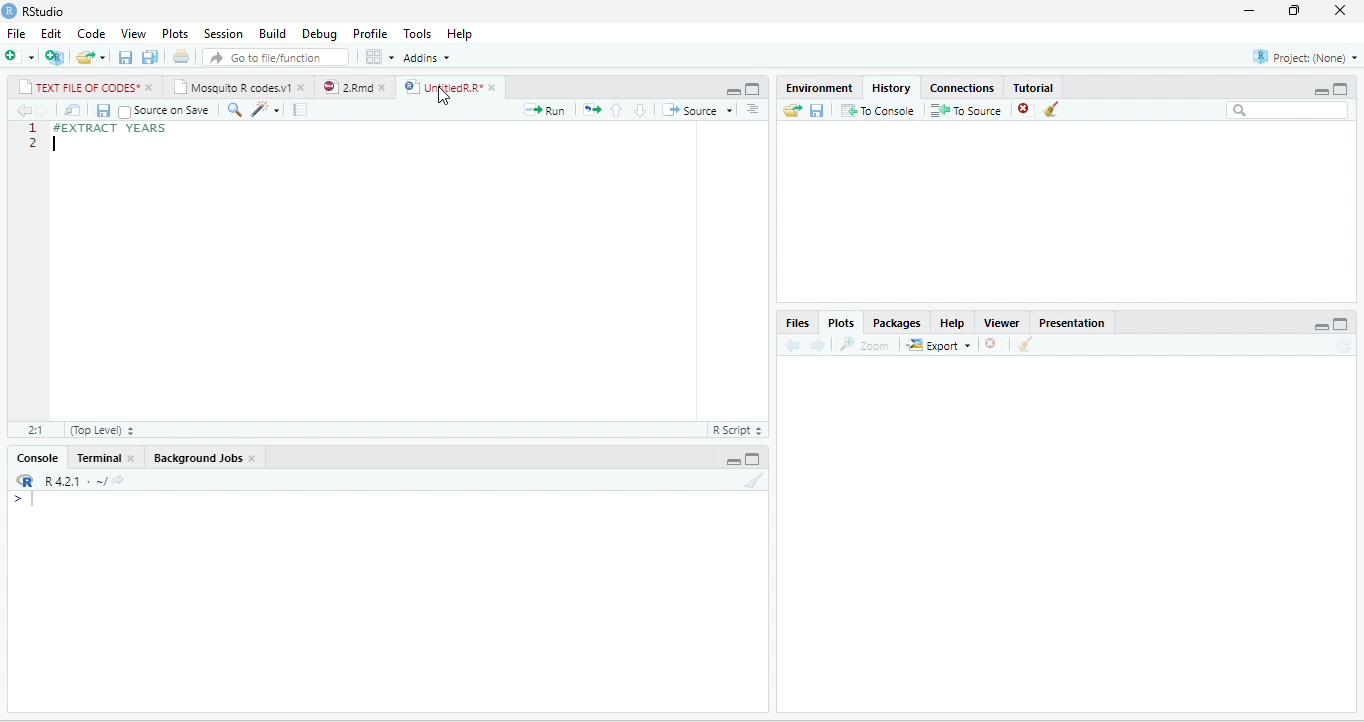 This screenshot has height=722, width=1364. I want to click on close, so click(385, 87).